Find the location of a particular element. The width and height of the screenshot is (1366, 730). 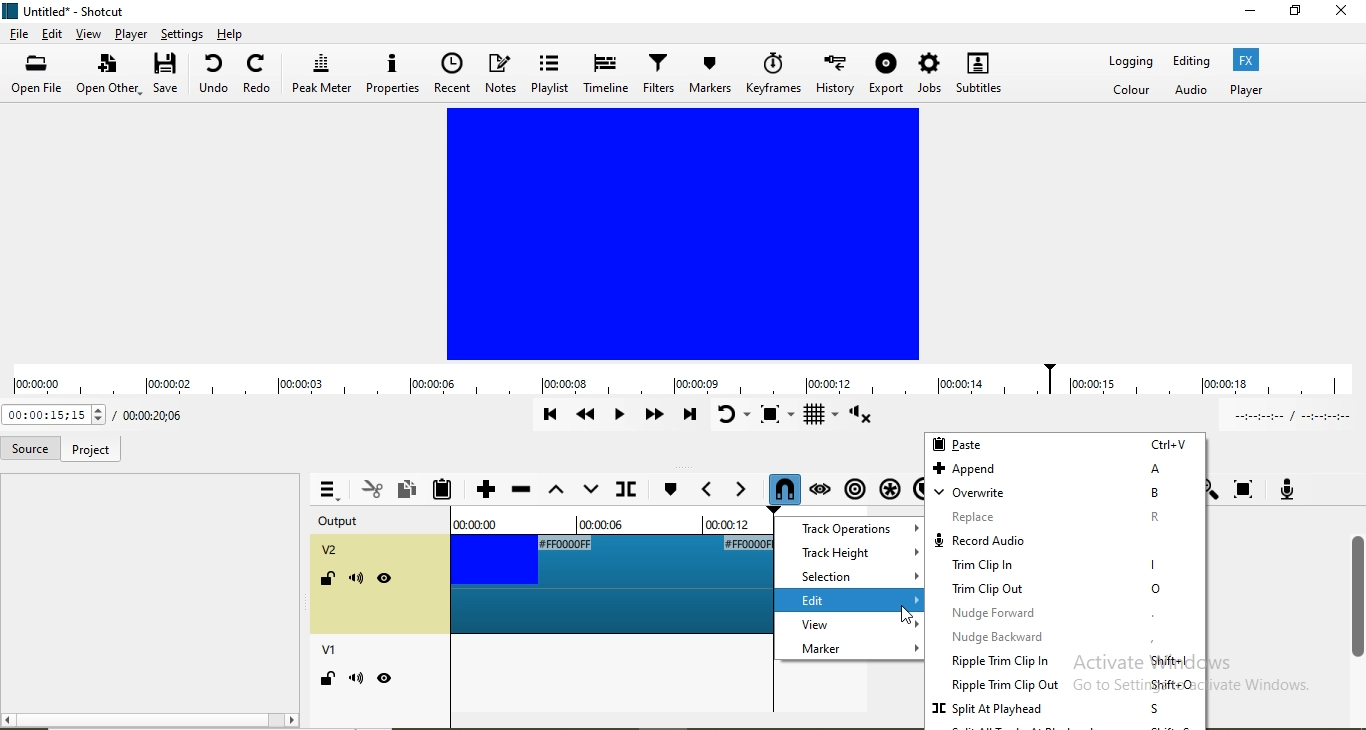

history is located at coordinates (836, 71).